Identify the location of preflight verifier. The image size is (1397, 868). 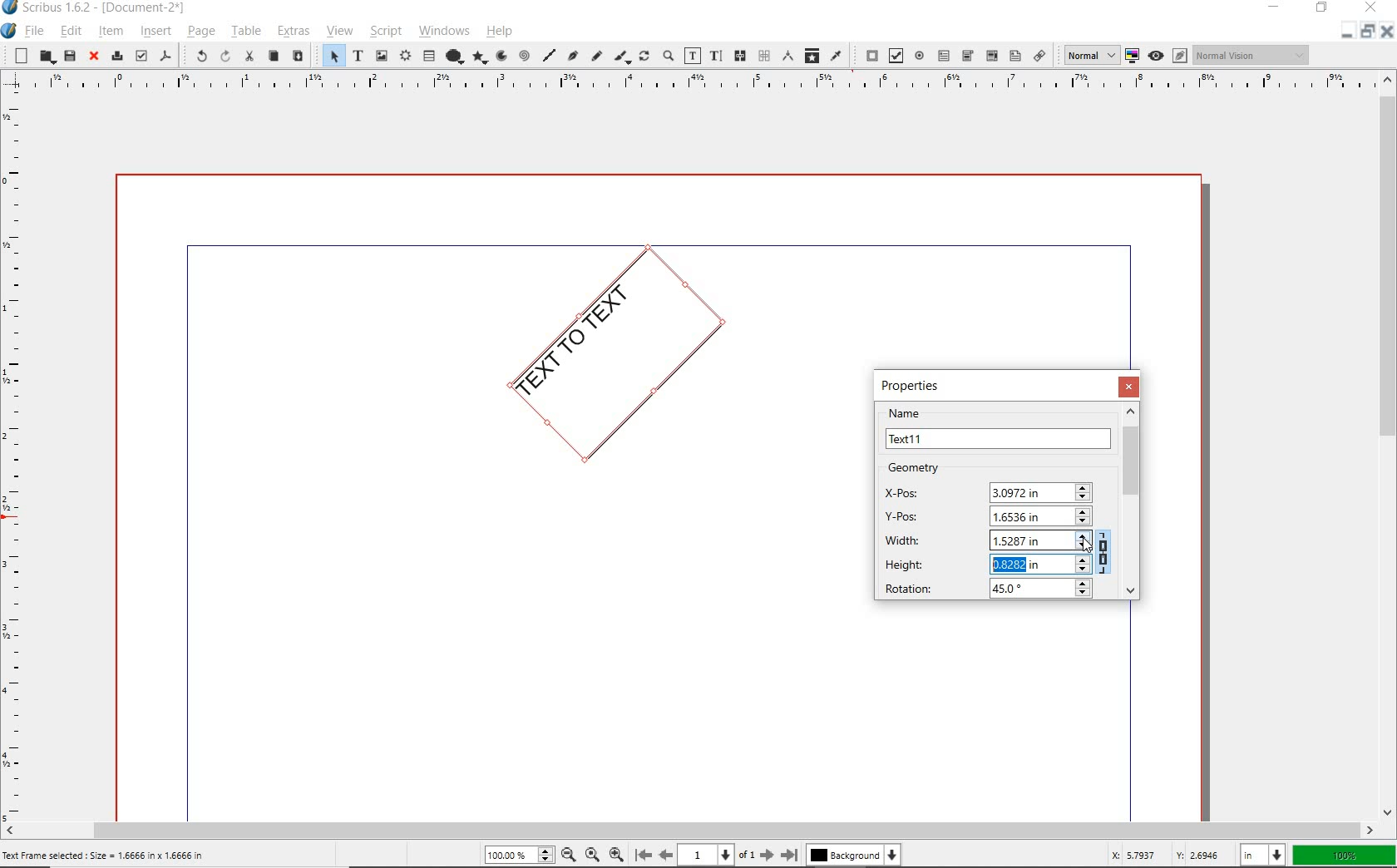
(141, 57).